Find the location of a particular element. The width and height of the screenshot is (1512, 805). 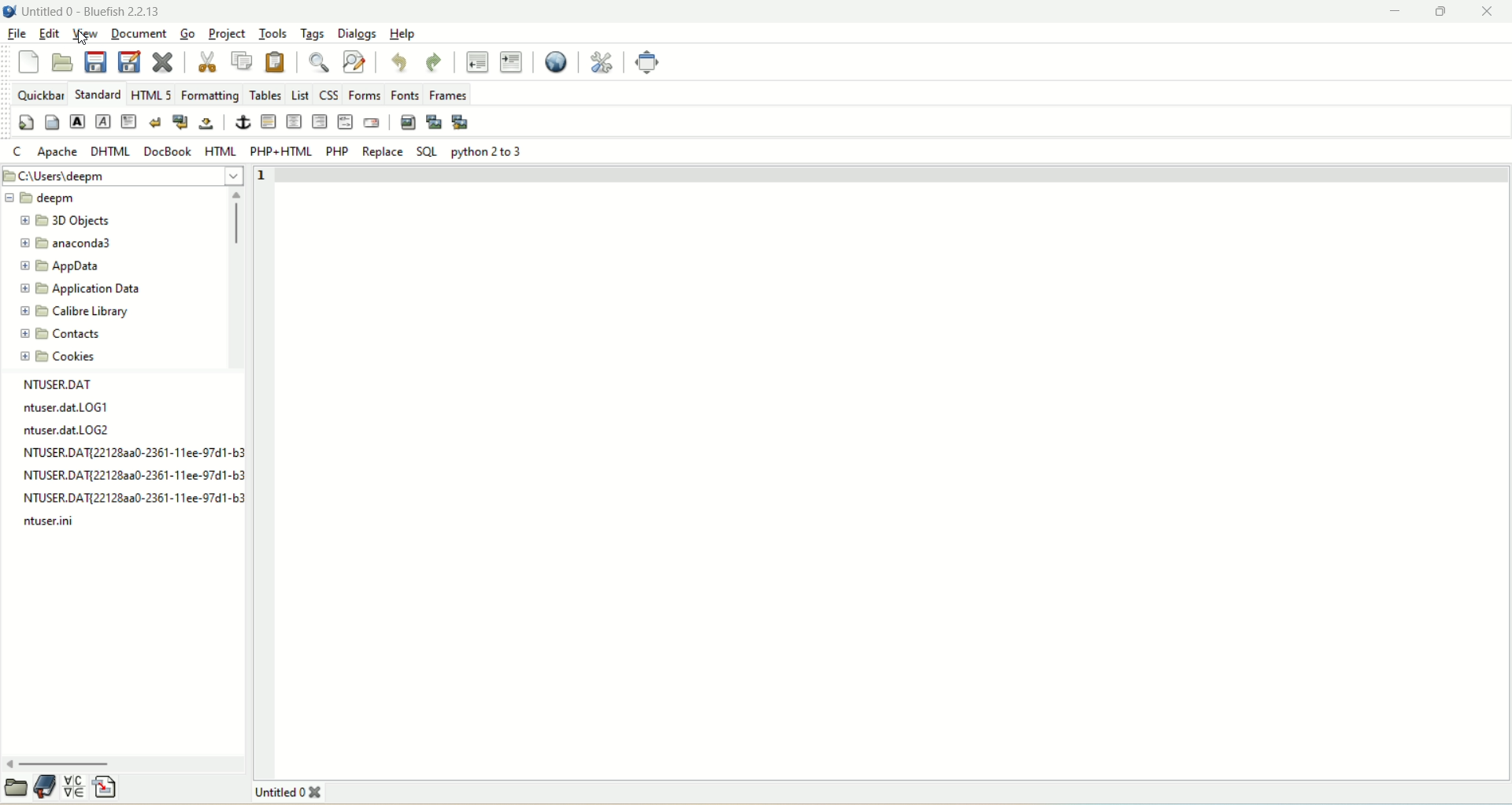

appdata is located at coordinates (61, 267).